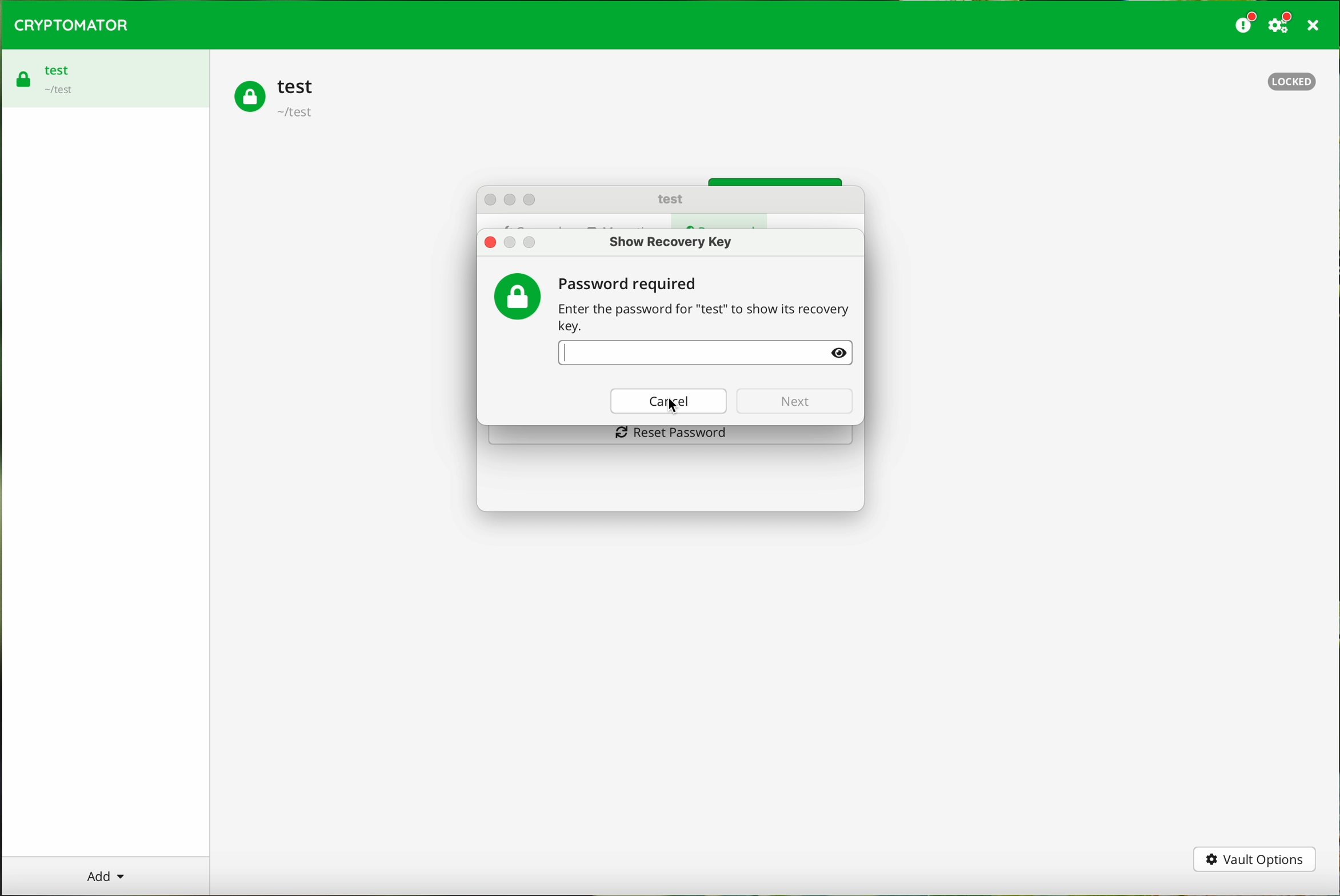 The width and height of the screenshot is (1340, 896). What do you see at coordinates (792, 400) in the screenshot?
I see `next` at bounding box center [792, 400].